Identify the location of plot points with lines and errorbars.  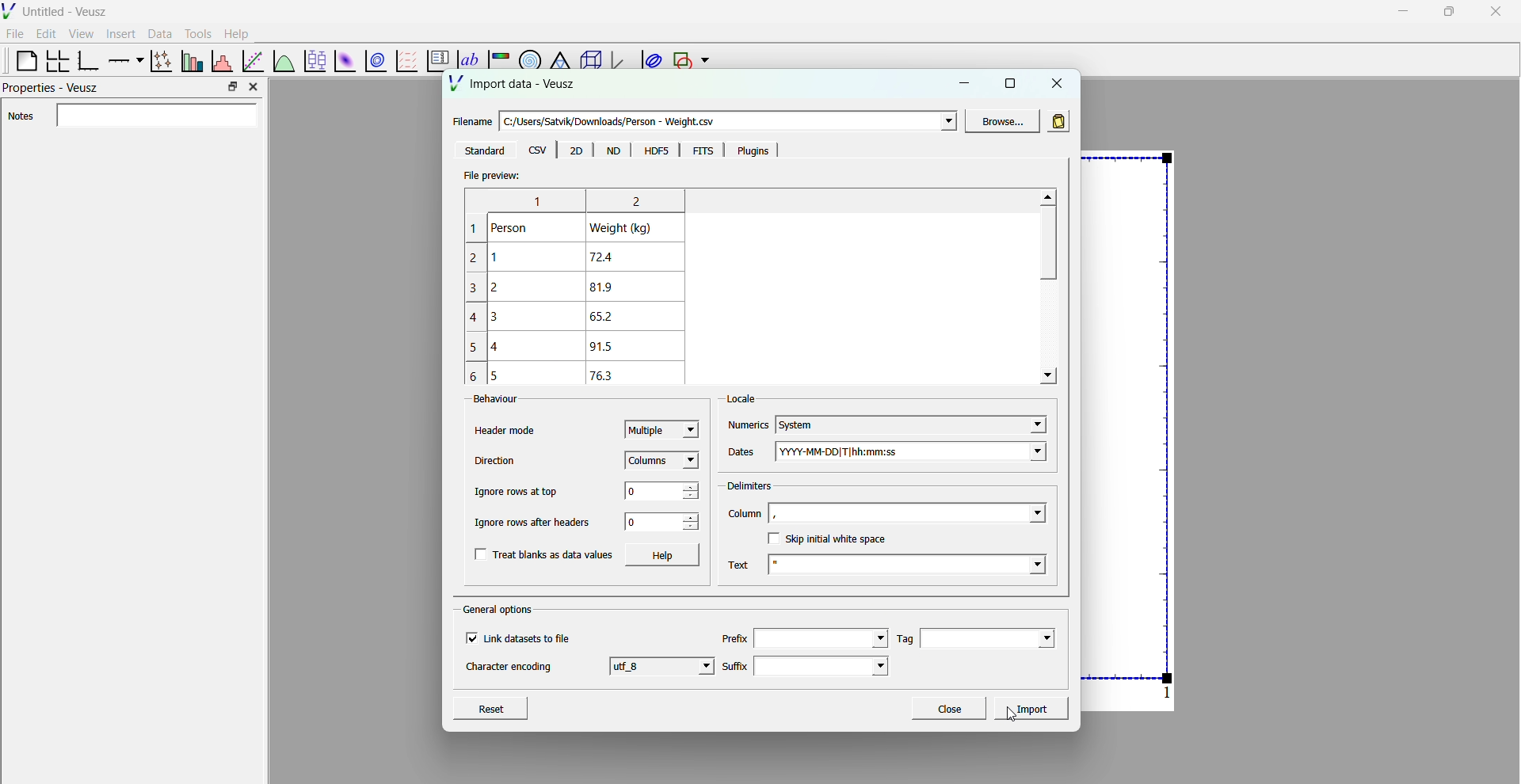
(159, 61).